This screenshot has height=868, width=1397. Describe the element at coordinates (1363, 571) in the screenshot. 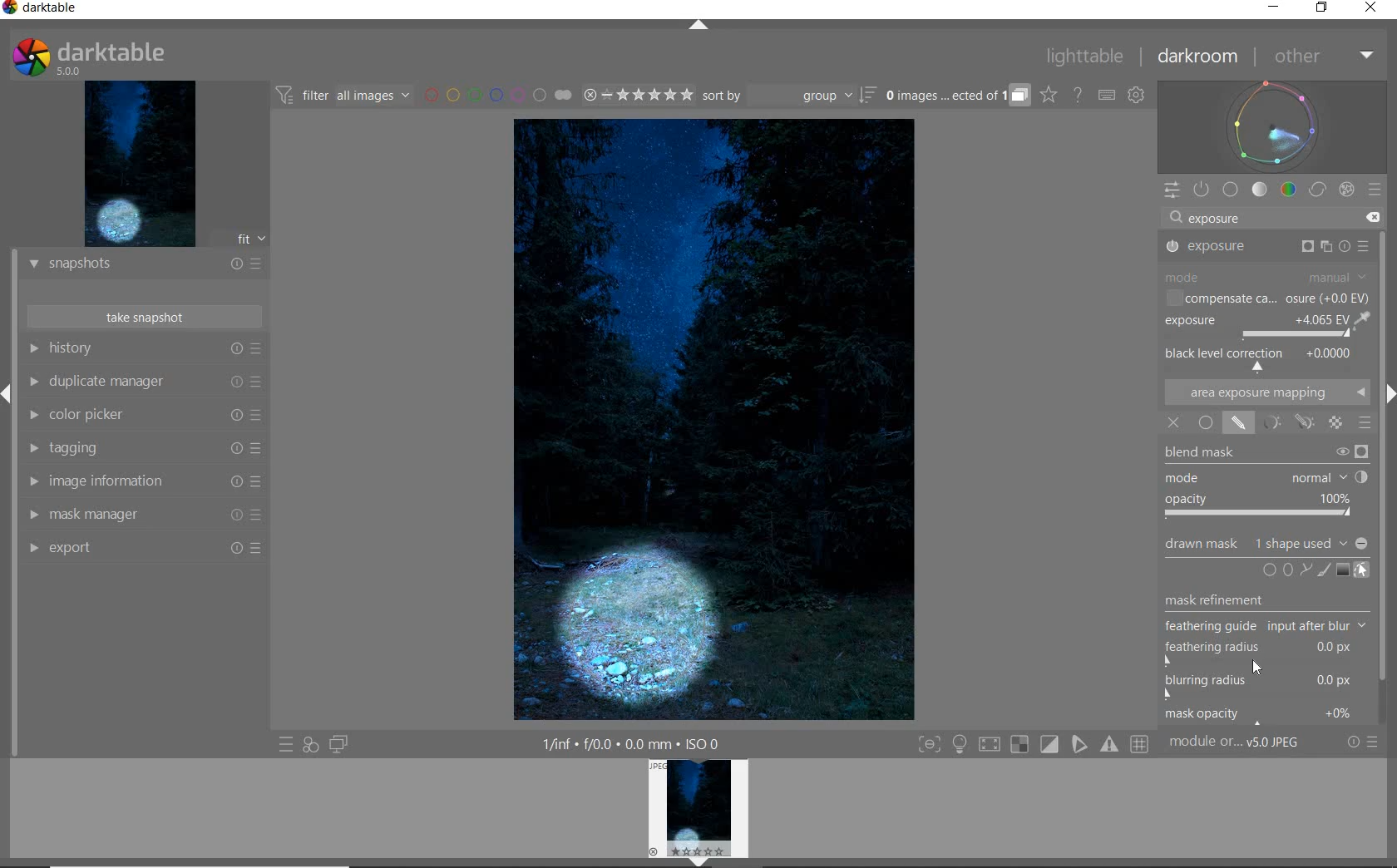

I see `SHOW & EDIT MASK ELEMENTS` at that location.